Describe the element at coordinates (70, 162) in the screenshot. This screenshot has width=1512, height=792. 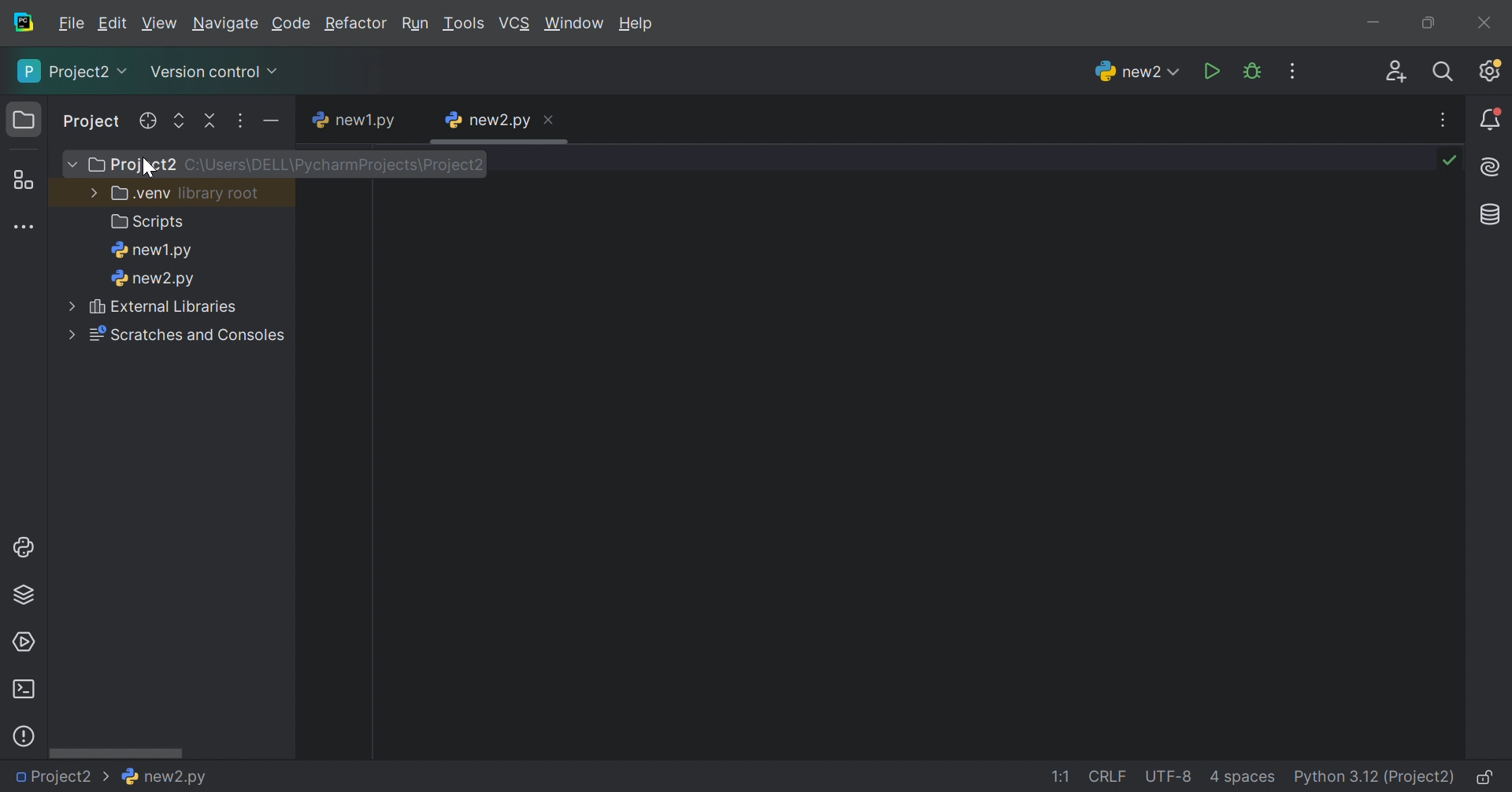
I see `More` at that location.